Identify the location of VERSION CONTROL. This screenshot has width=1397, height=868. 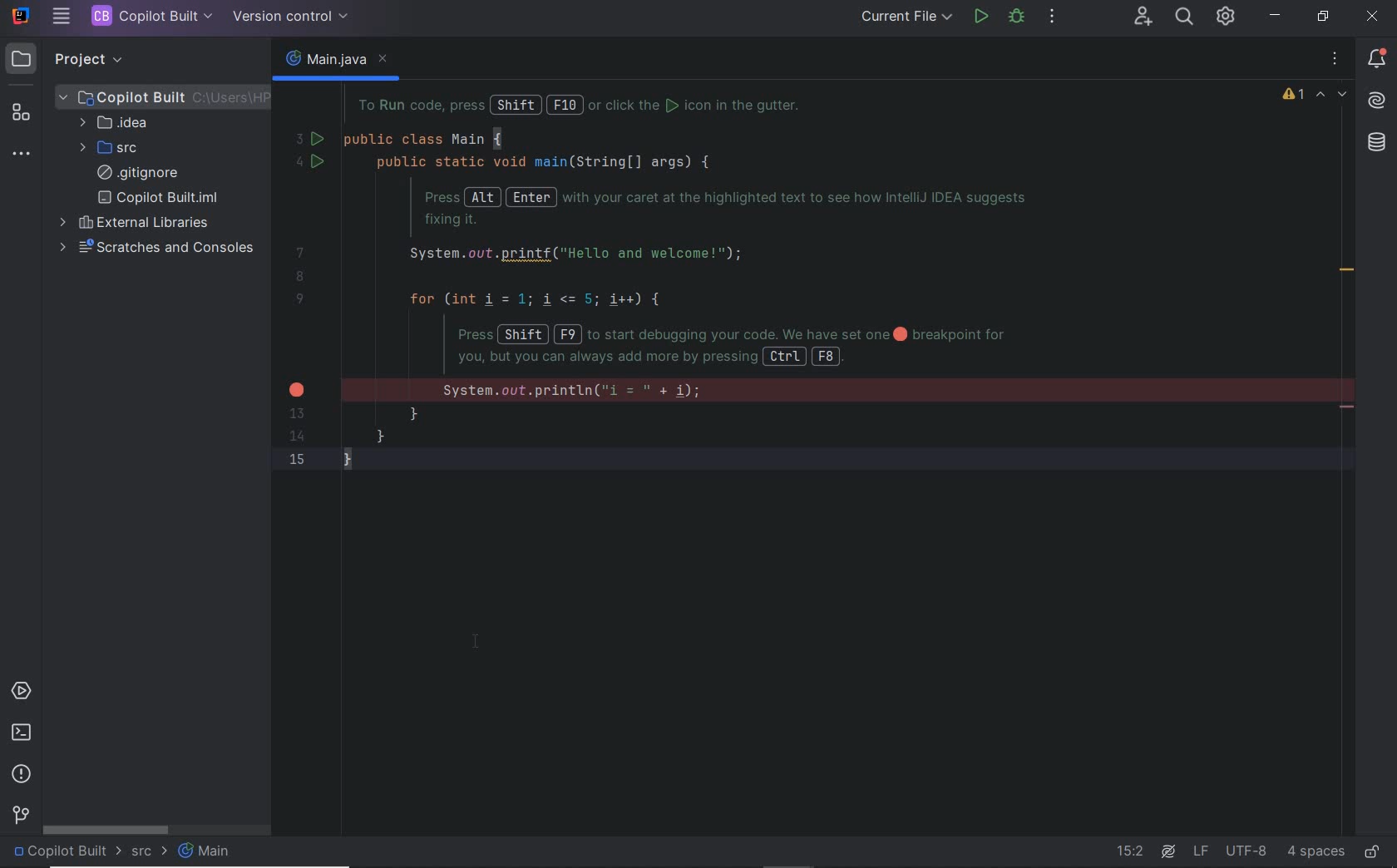
(291, 18).